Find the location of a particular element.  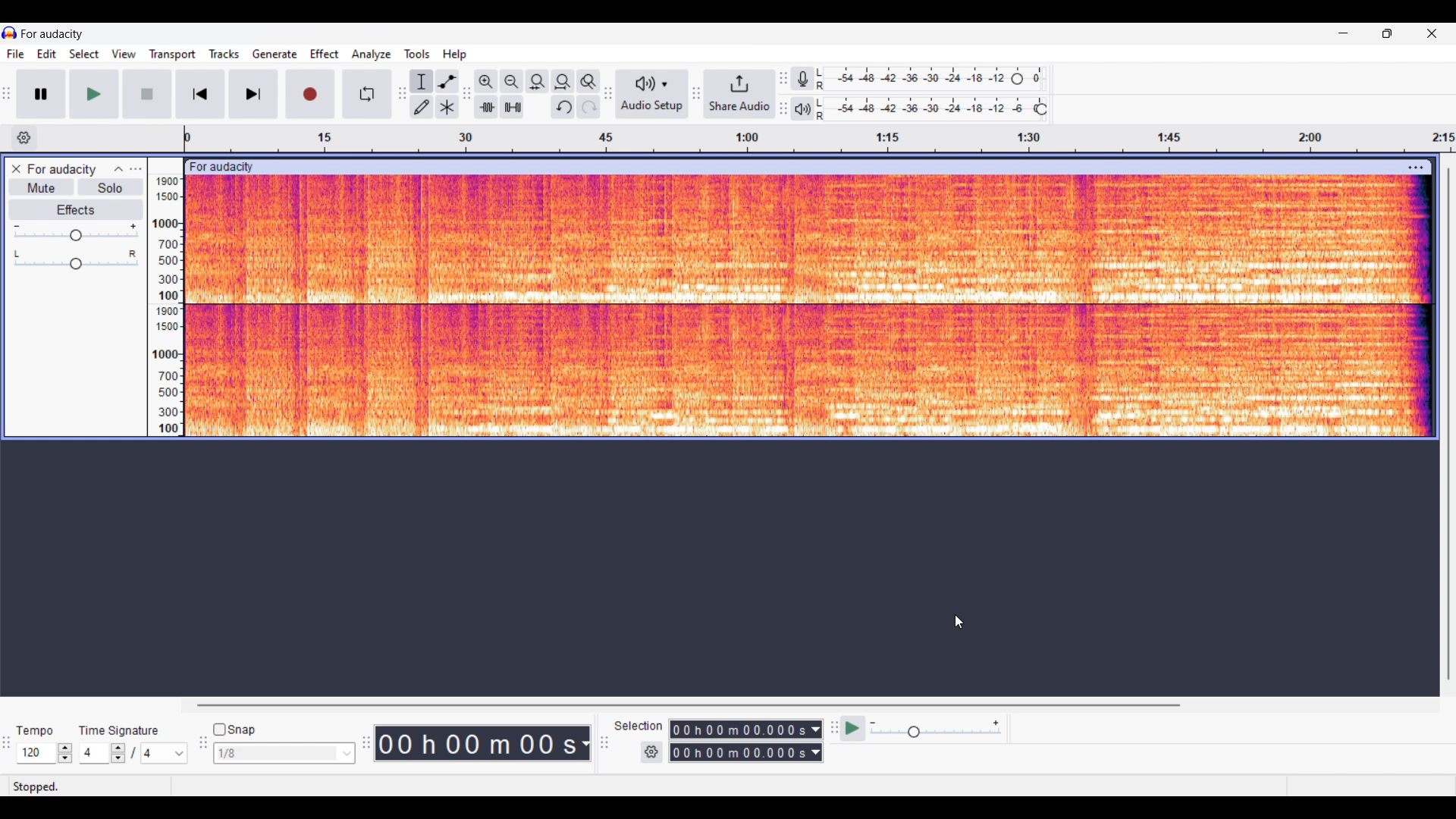

Indicates Tempo settings is located at coordinates (36, 731).